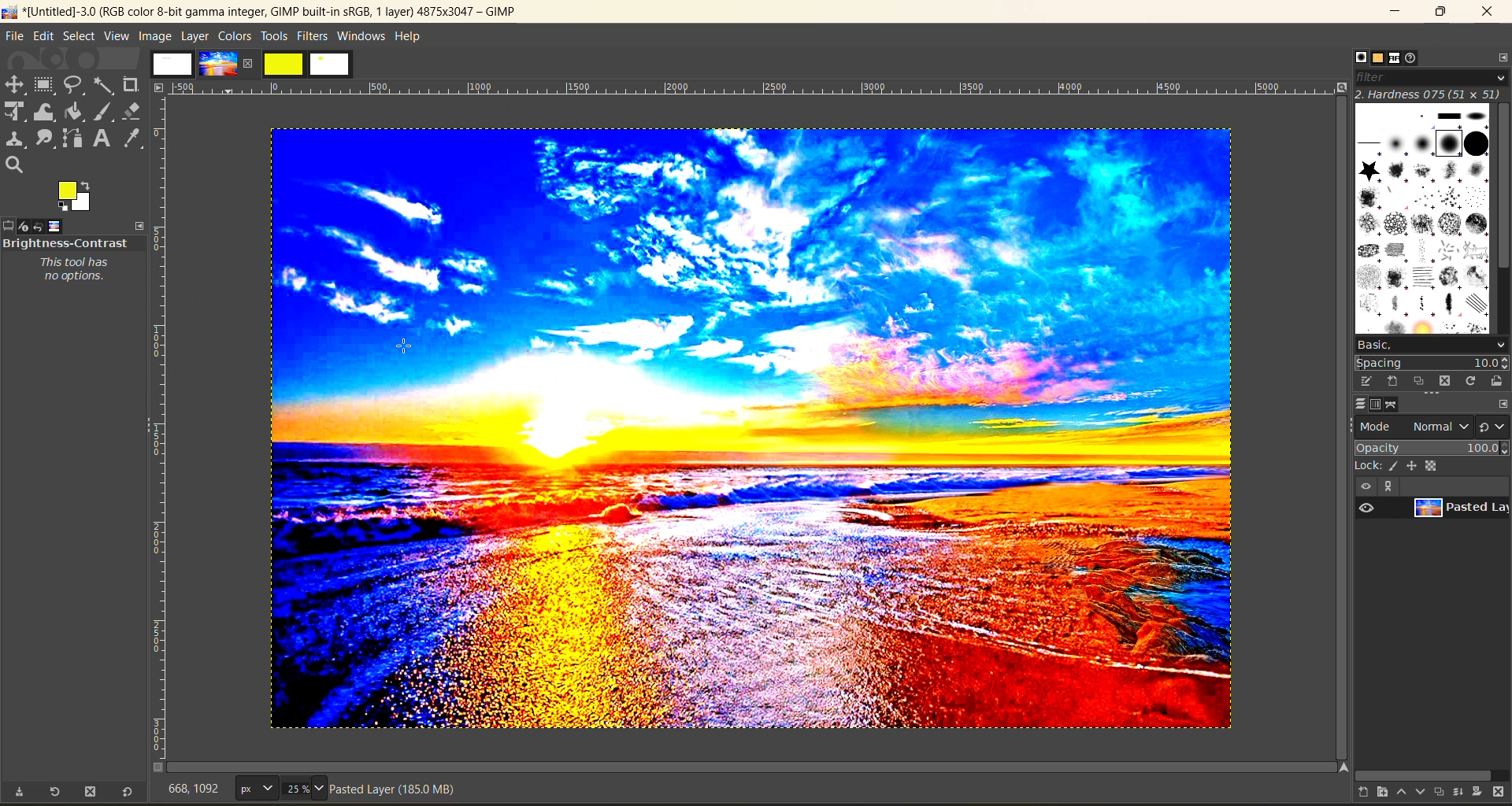 The width and height of the screenshot is (1512, 806). I want to click on images, so click(174, 61).